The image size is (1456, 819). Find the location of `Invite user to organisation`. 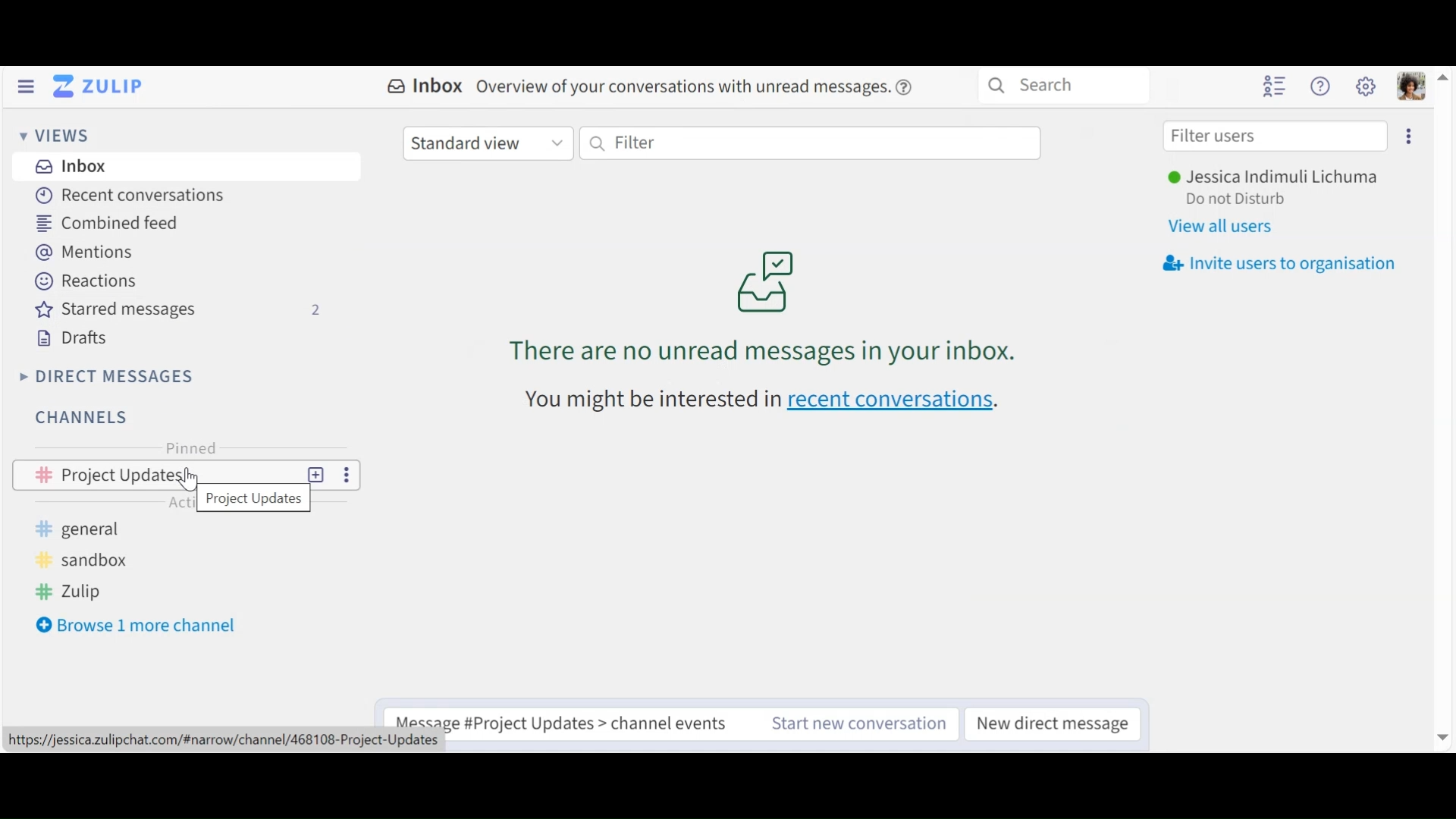

Invite user to organisation is located at coordinates (1407, 138).